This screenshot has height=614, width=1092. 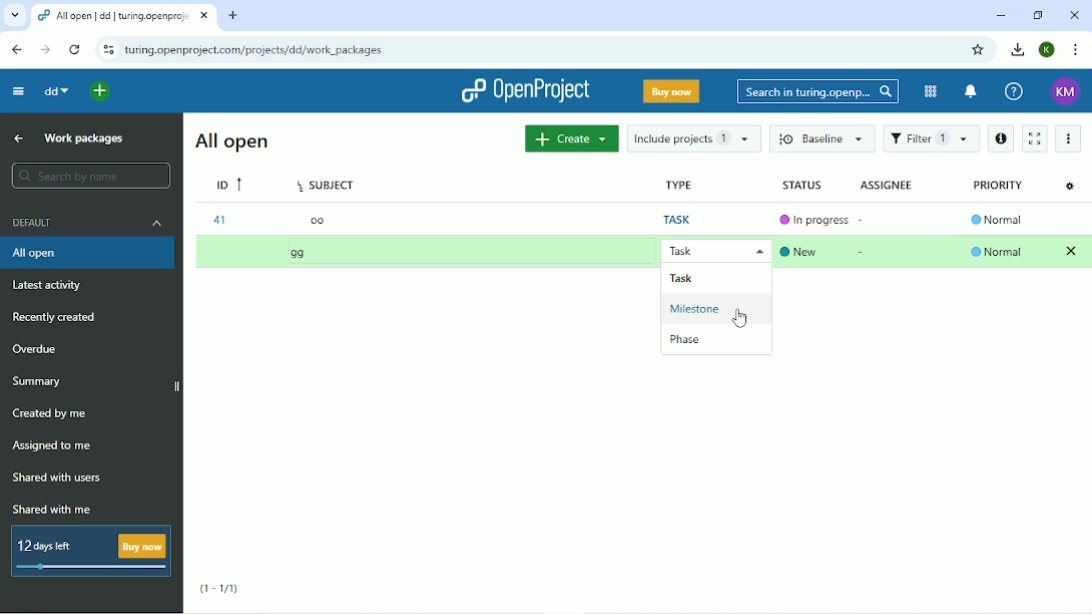 I want to click on Normal, so click(x=998, y=251).